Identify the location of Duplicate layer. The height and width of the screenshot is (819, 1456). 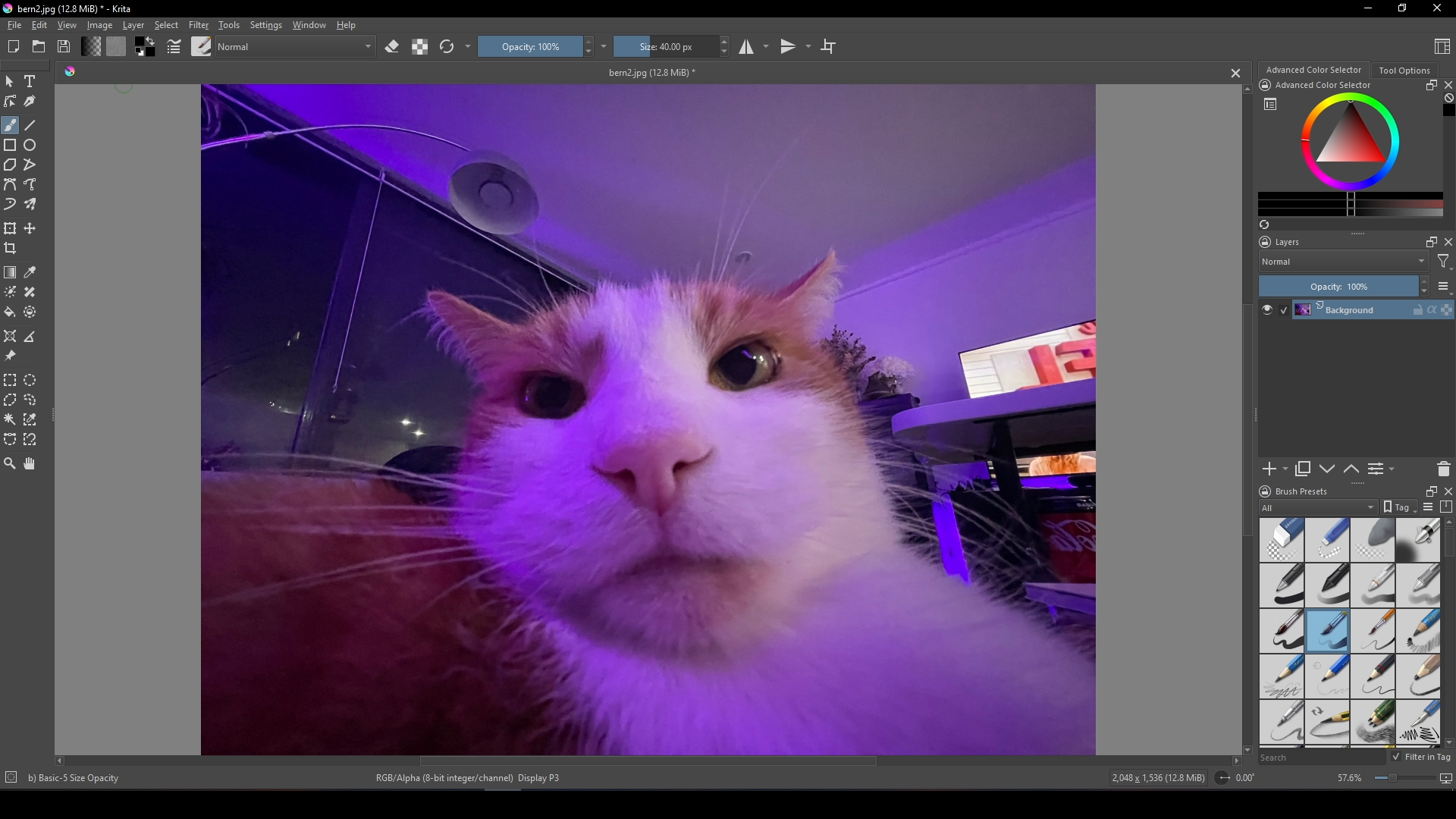
(1303, 469).